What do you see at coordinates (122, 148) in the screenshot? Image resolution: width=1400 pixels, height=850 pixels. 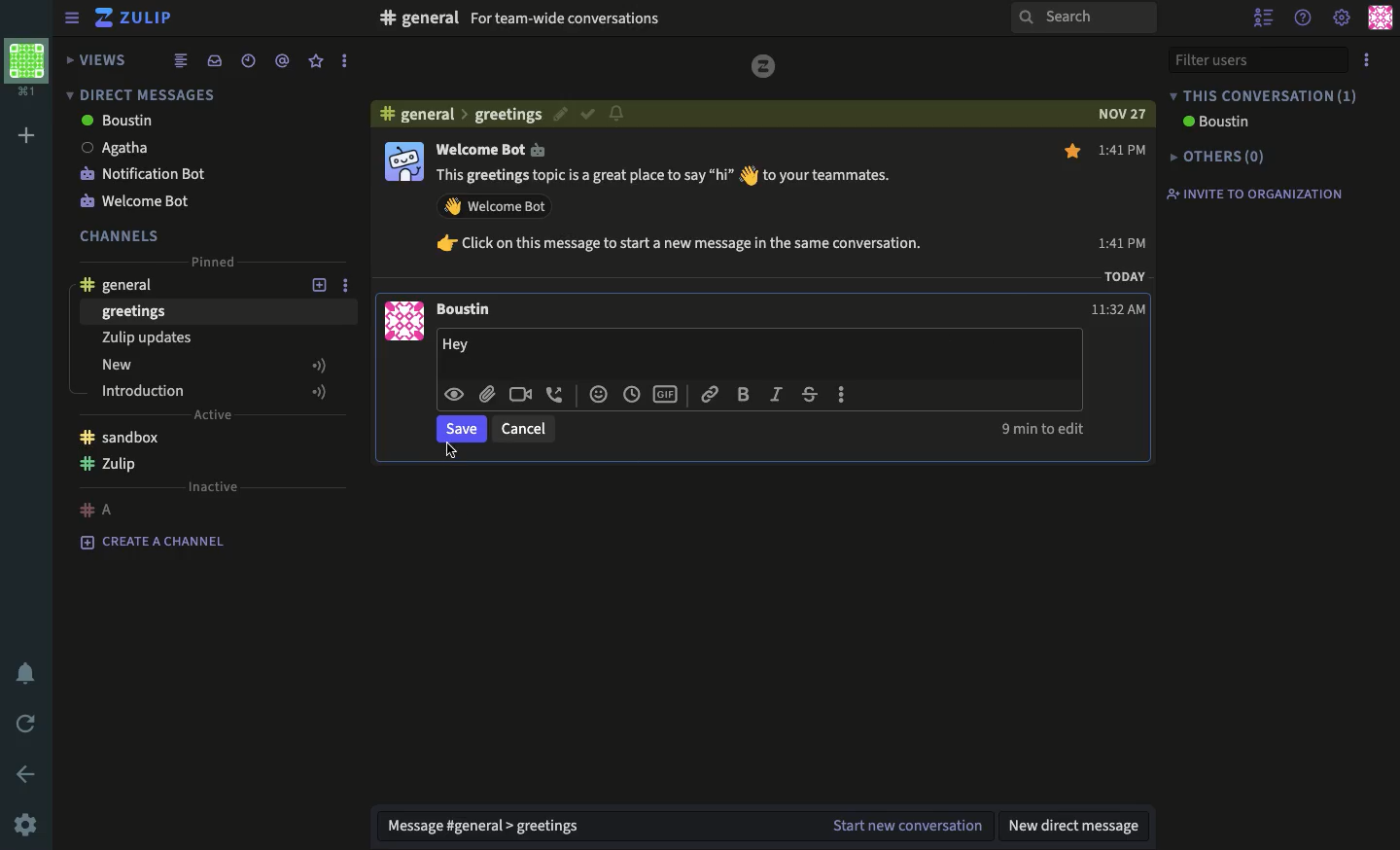 I see `Agatha` at bounding box center [122, 148].